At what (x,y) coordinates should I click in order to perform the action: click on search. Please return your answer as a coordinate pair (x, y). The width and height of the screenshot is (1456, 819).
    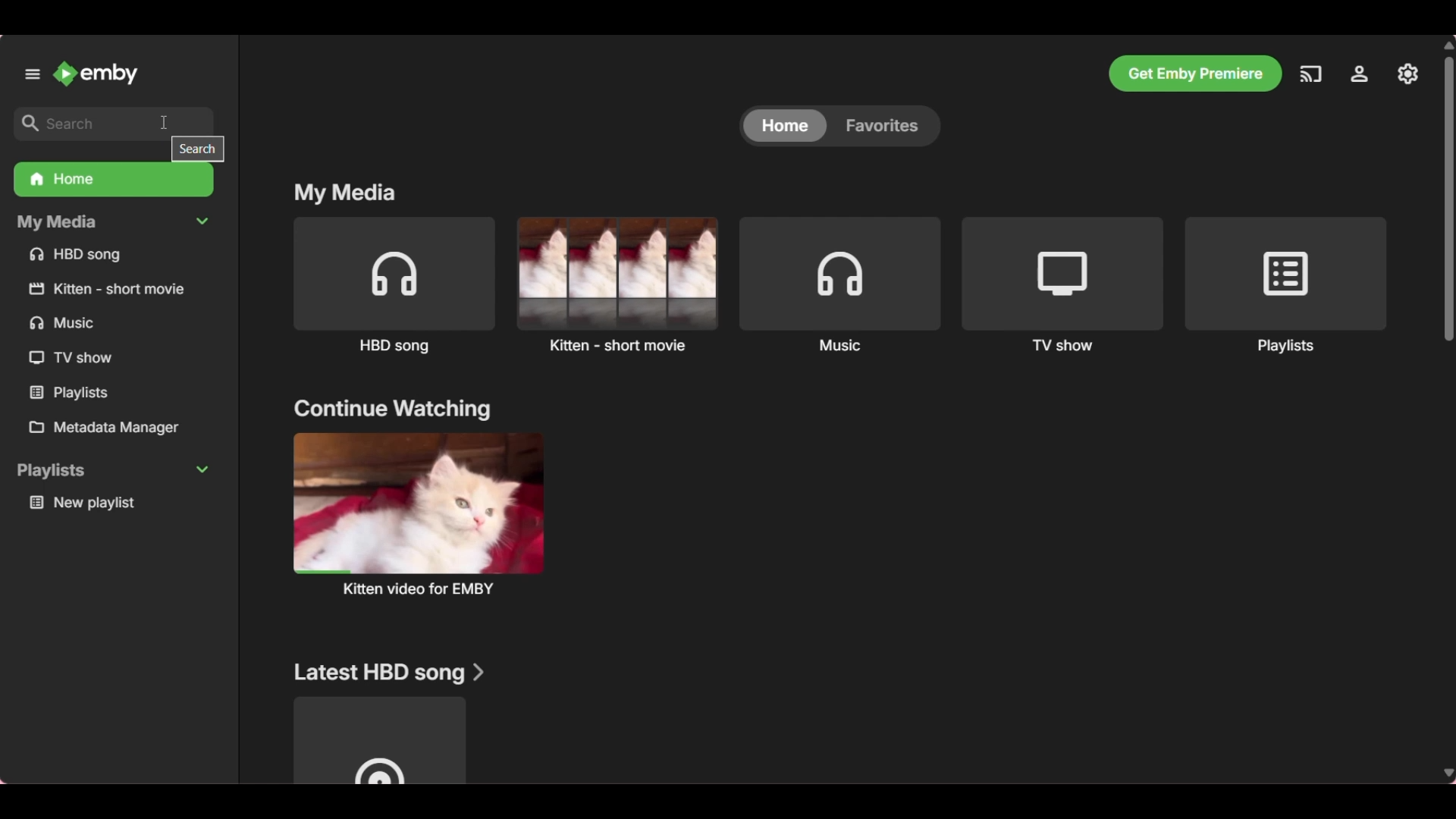
    Looking at the image, I should click on (197, 149).